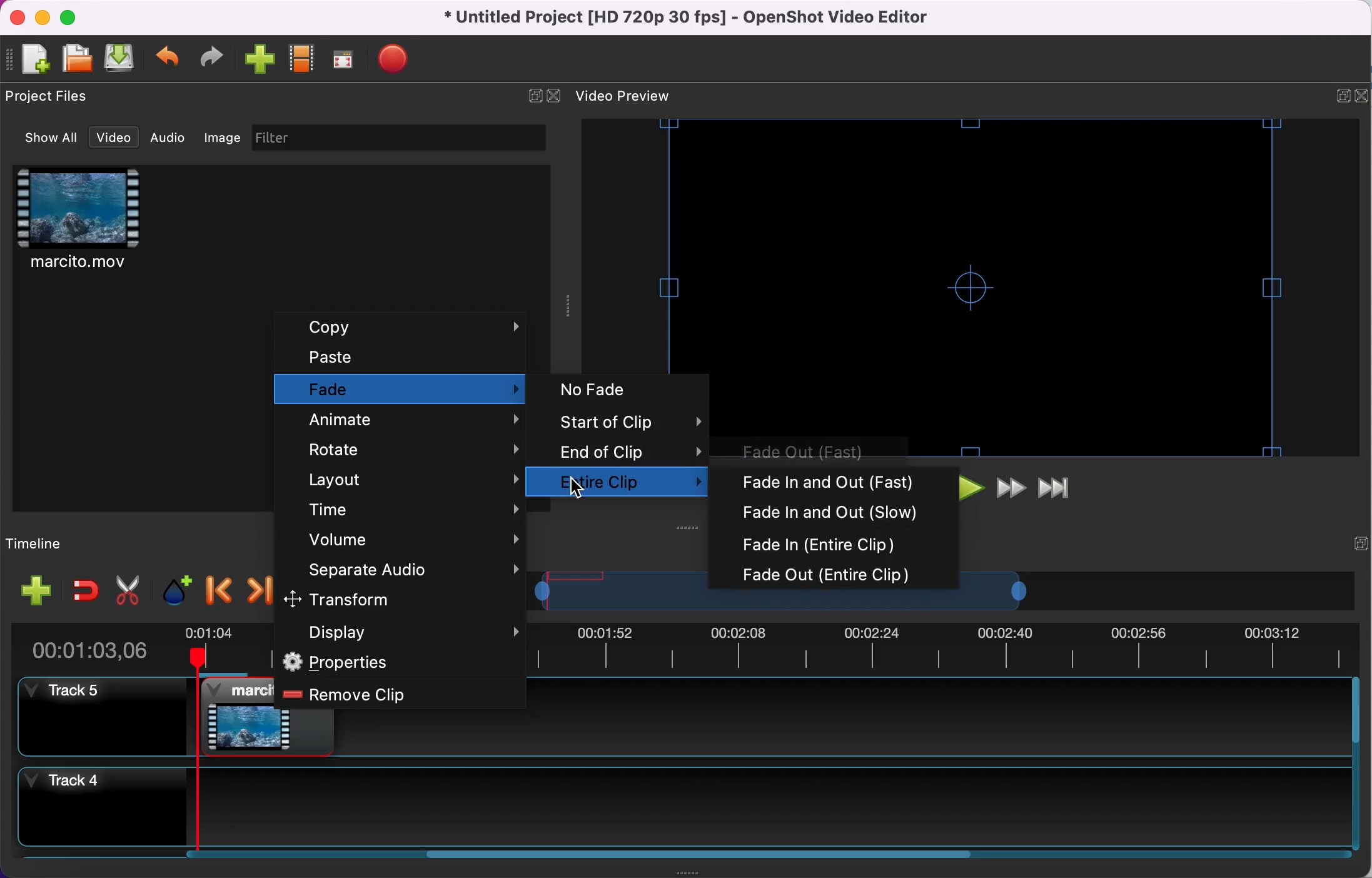  What do you see at coordinates (398, 601) in the screenshot?
I see `transform` at bounding box center [398, 601].